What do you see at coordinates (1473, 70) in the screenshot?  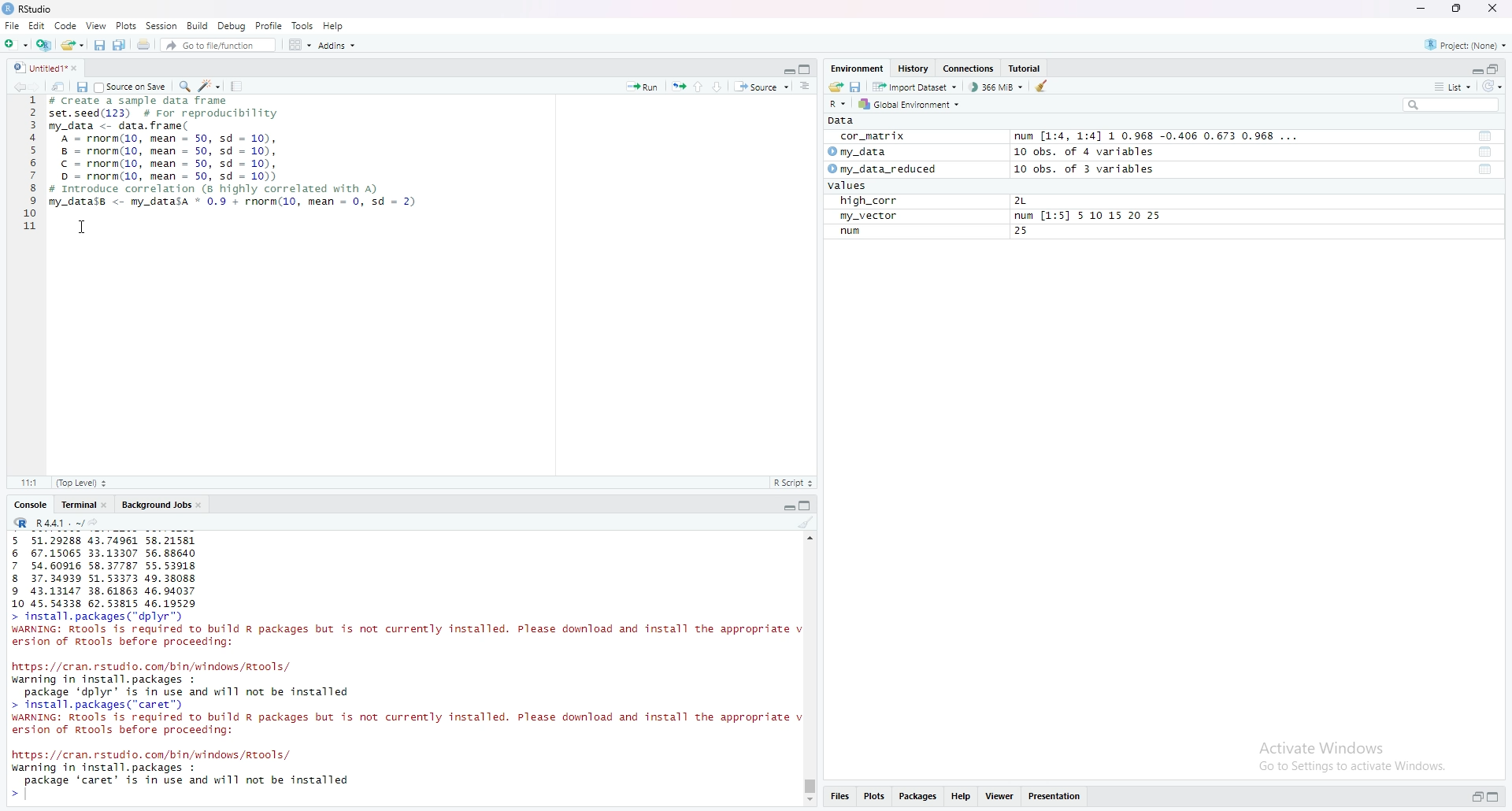 I see `Collapse` at bounding box center [1473, 70].